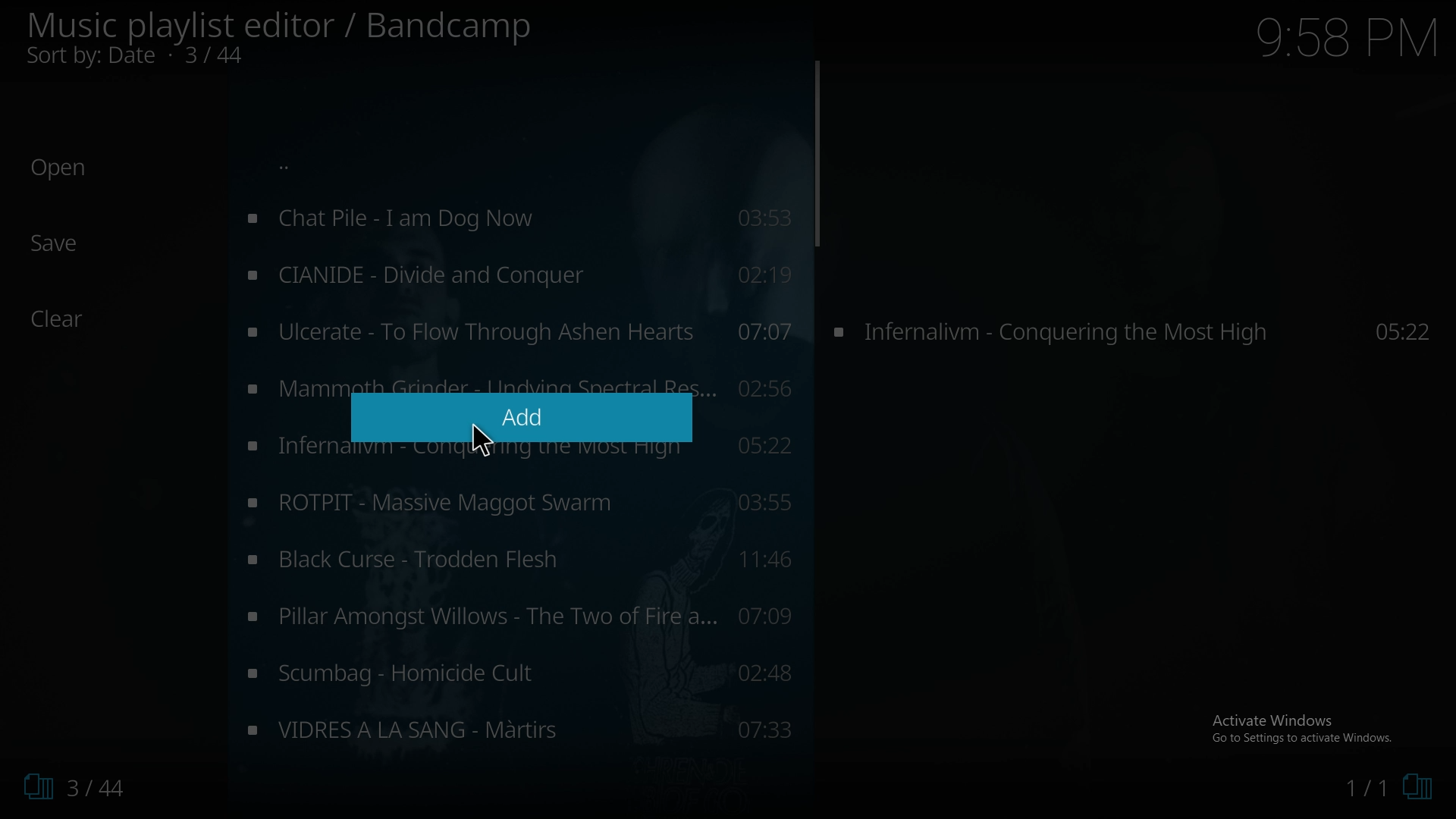 This screenshot has width=1456, height=819. I want to click on music, so click(521, 616).